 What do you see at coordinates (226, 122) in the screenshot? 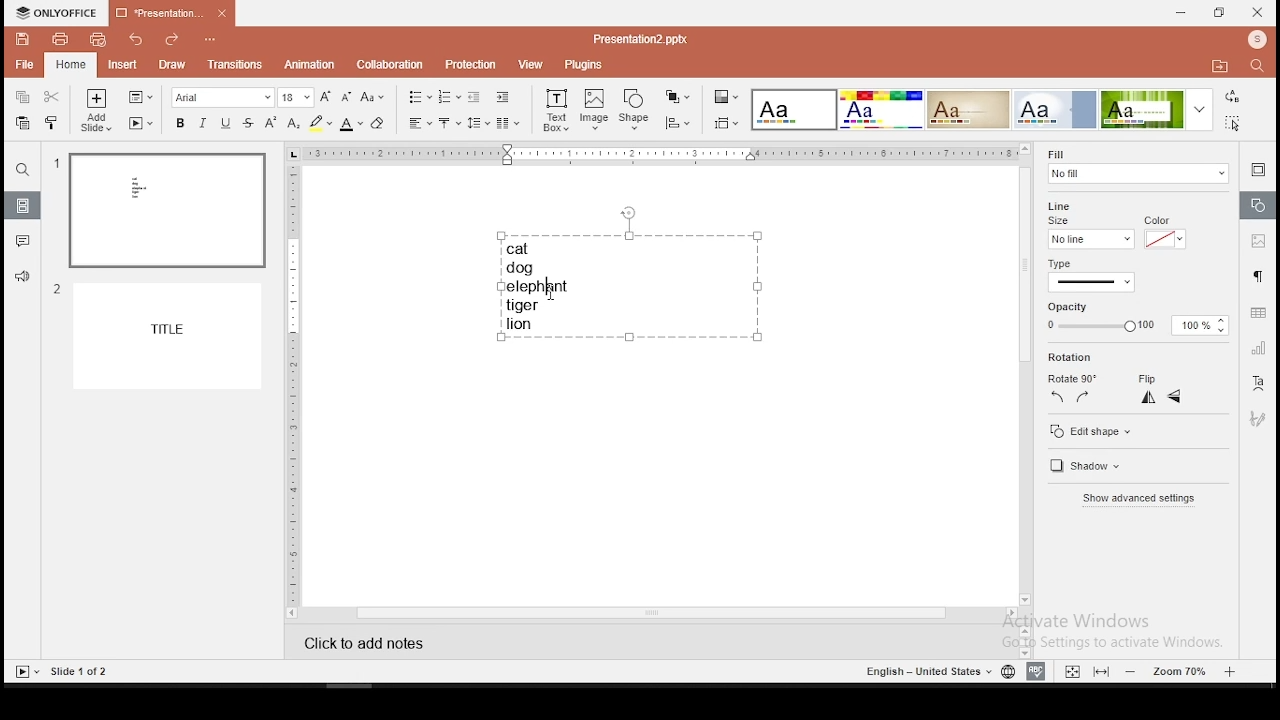
I see `underline` at bounding box center [226, 122].